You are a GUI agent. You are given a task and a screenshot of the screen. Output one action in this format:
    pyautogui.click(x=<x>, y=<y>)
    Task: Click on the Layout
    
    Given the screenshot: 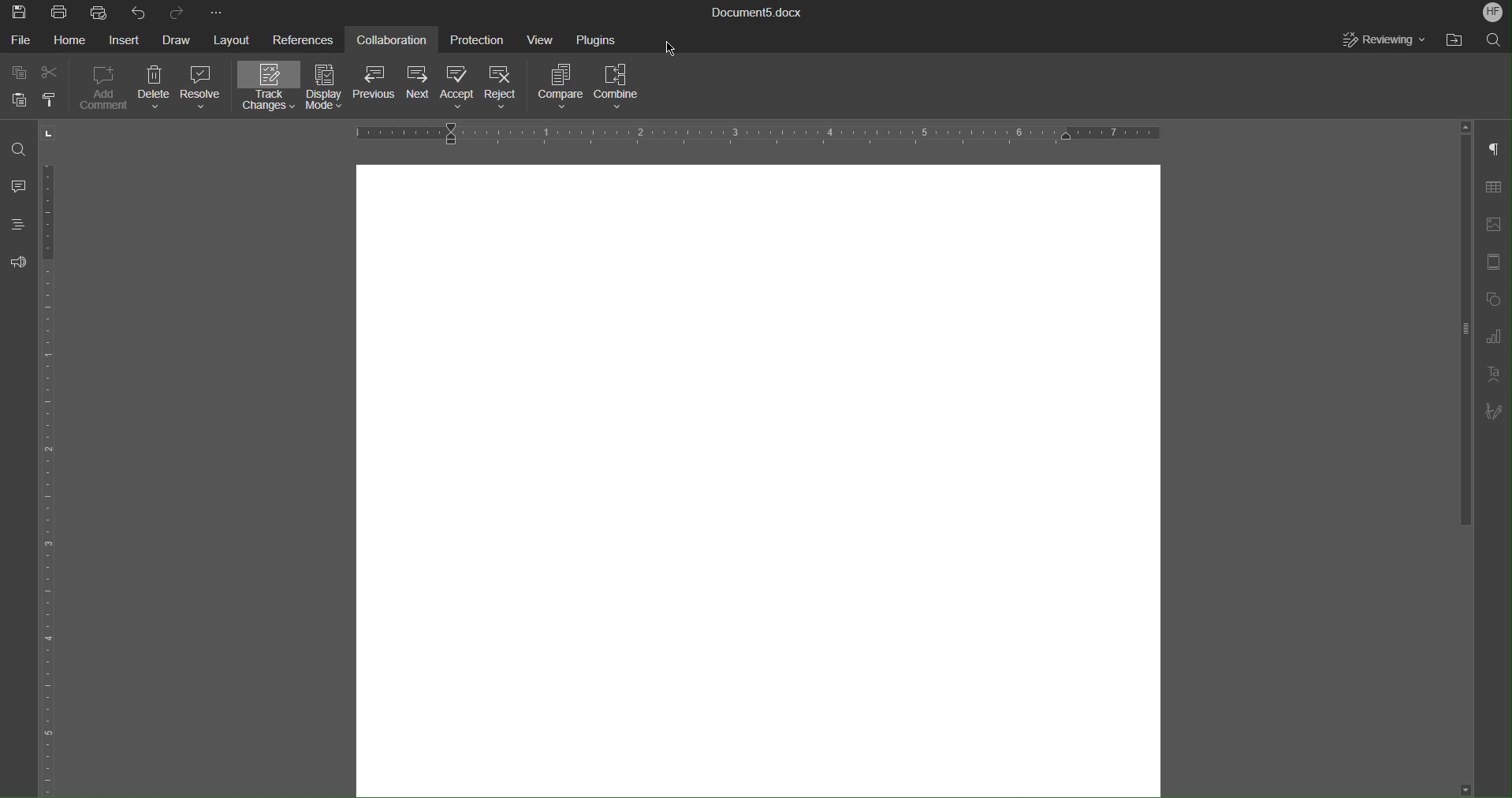 What is the action you would take?
    pyautogui.click(x=240, y=40)
    